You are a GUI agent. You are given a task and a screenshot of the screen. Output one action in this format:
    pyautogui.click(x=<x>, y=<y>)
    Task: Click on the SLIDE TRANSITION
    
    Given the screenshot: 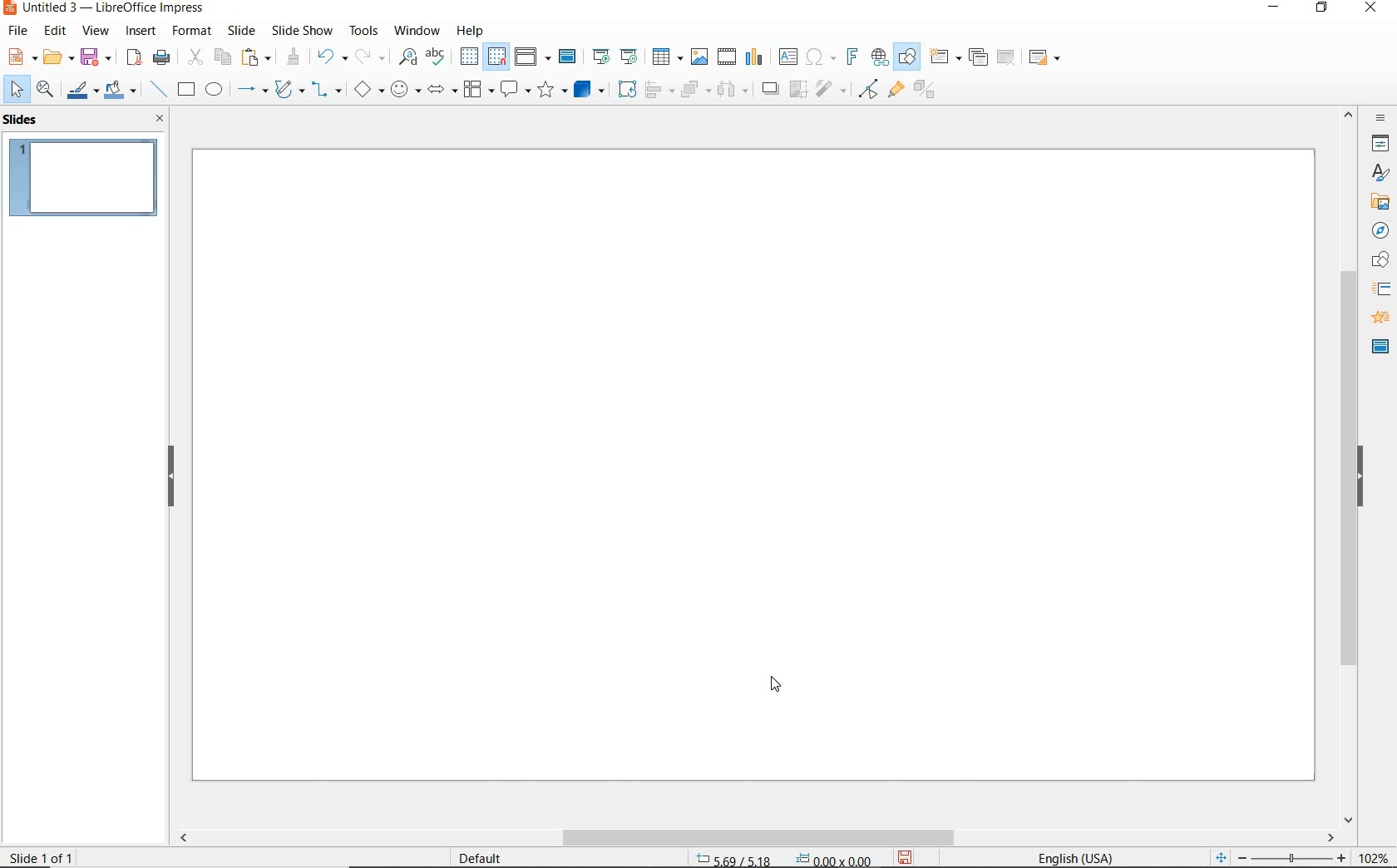 What is the action you would take?
    pyautogui.click(x=1378, y=290)
    